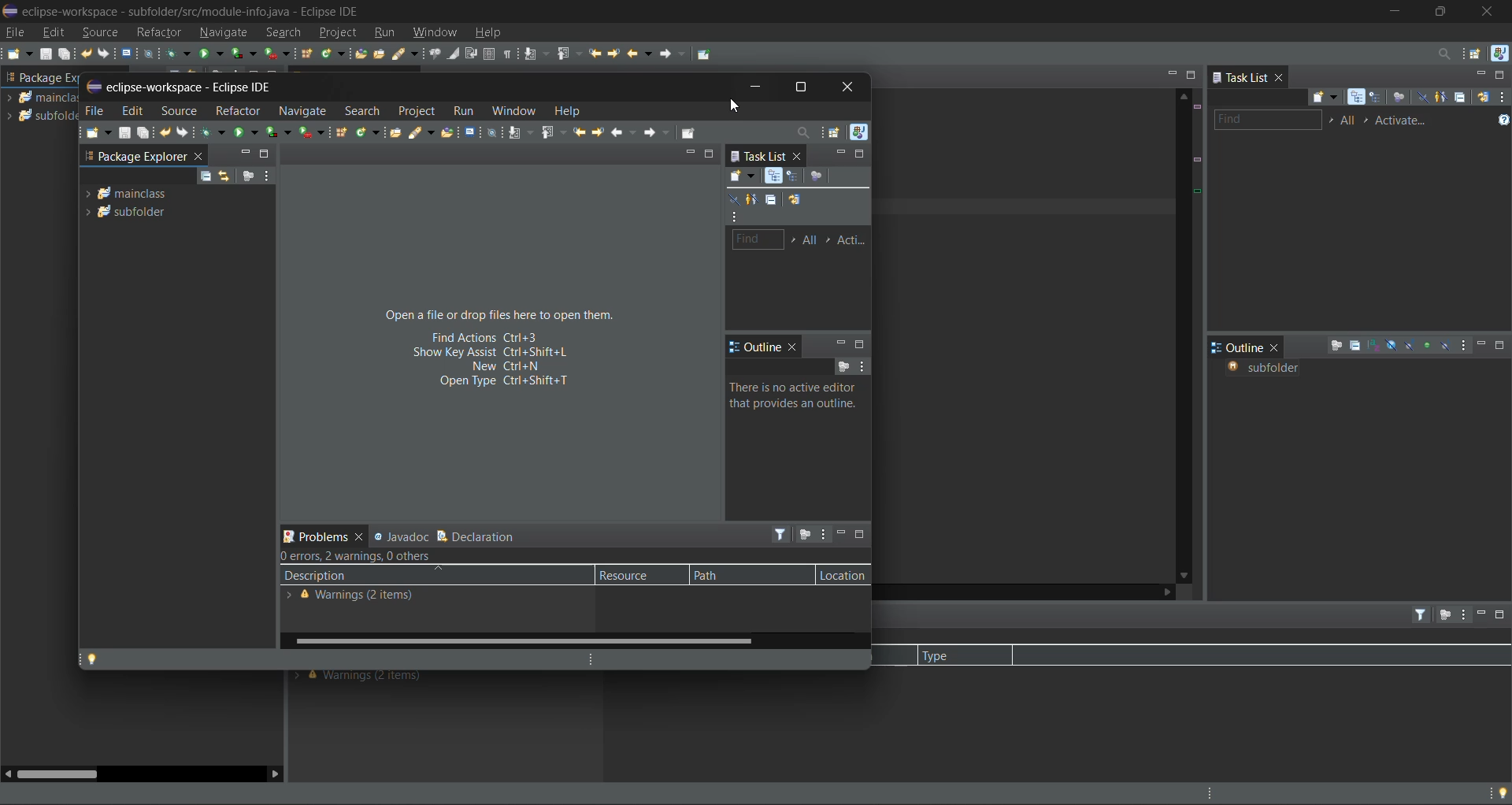  Describe the element at coordinates (1240, 347) in the screenshot. I see `outline` at that location.